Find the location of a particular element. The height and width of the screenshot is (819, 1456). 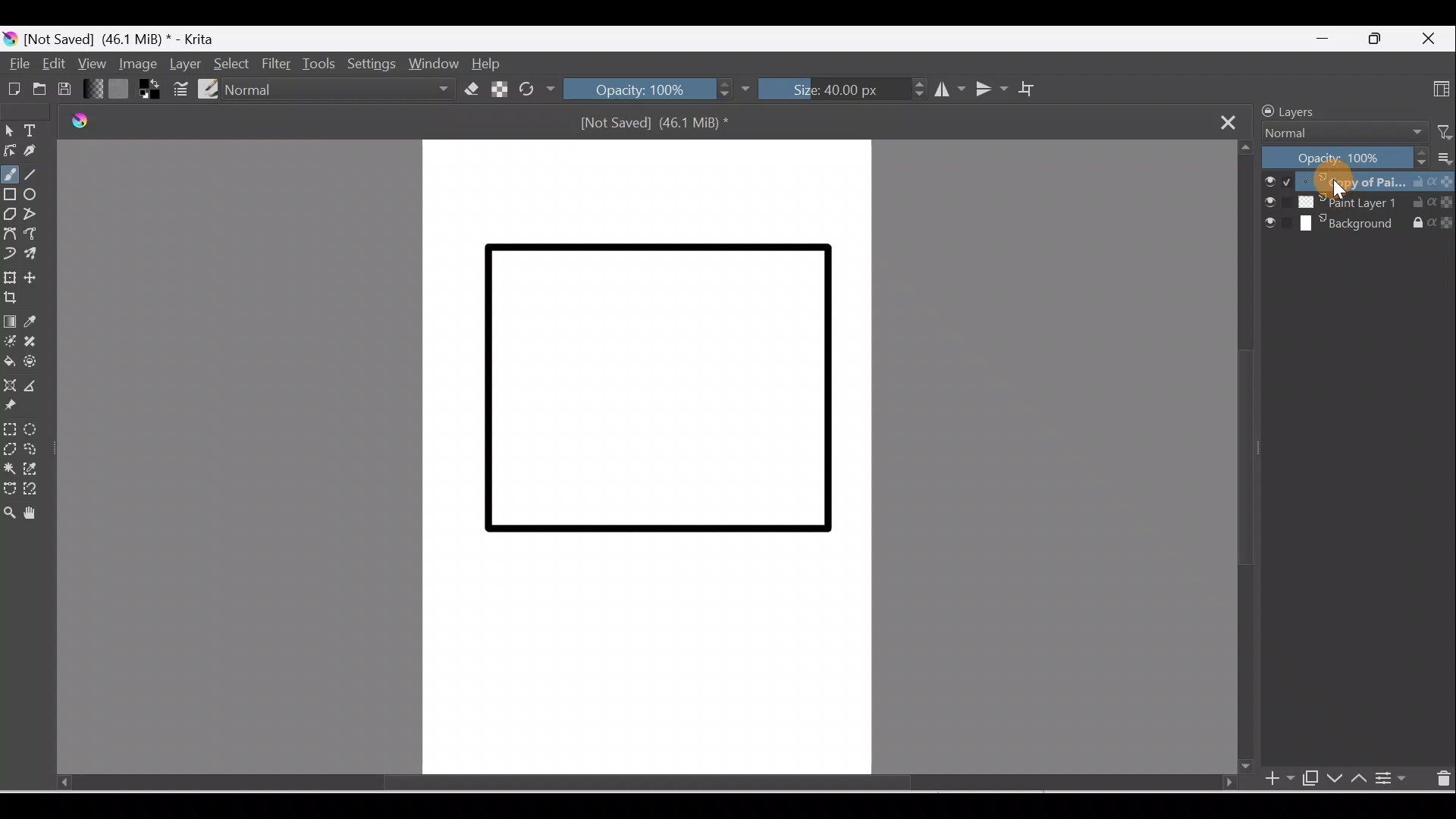

Select is located at coordinates (231, 61).